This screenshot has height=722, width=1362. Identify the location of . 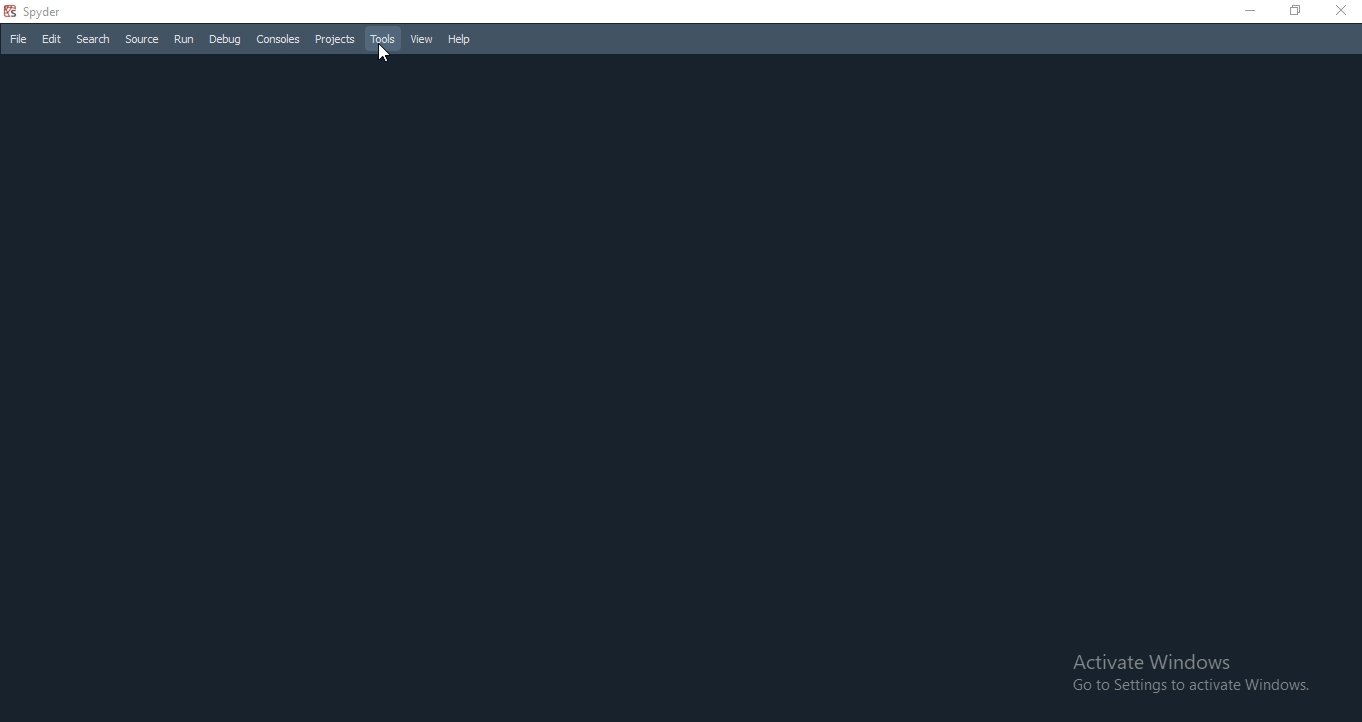
(335, 39).